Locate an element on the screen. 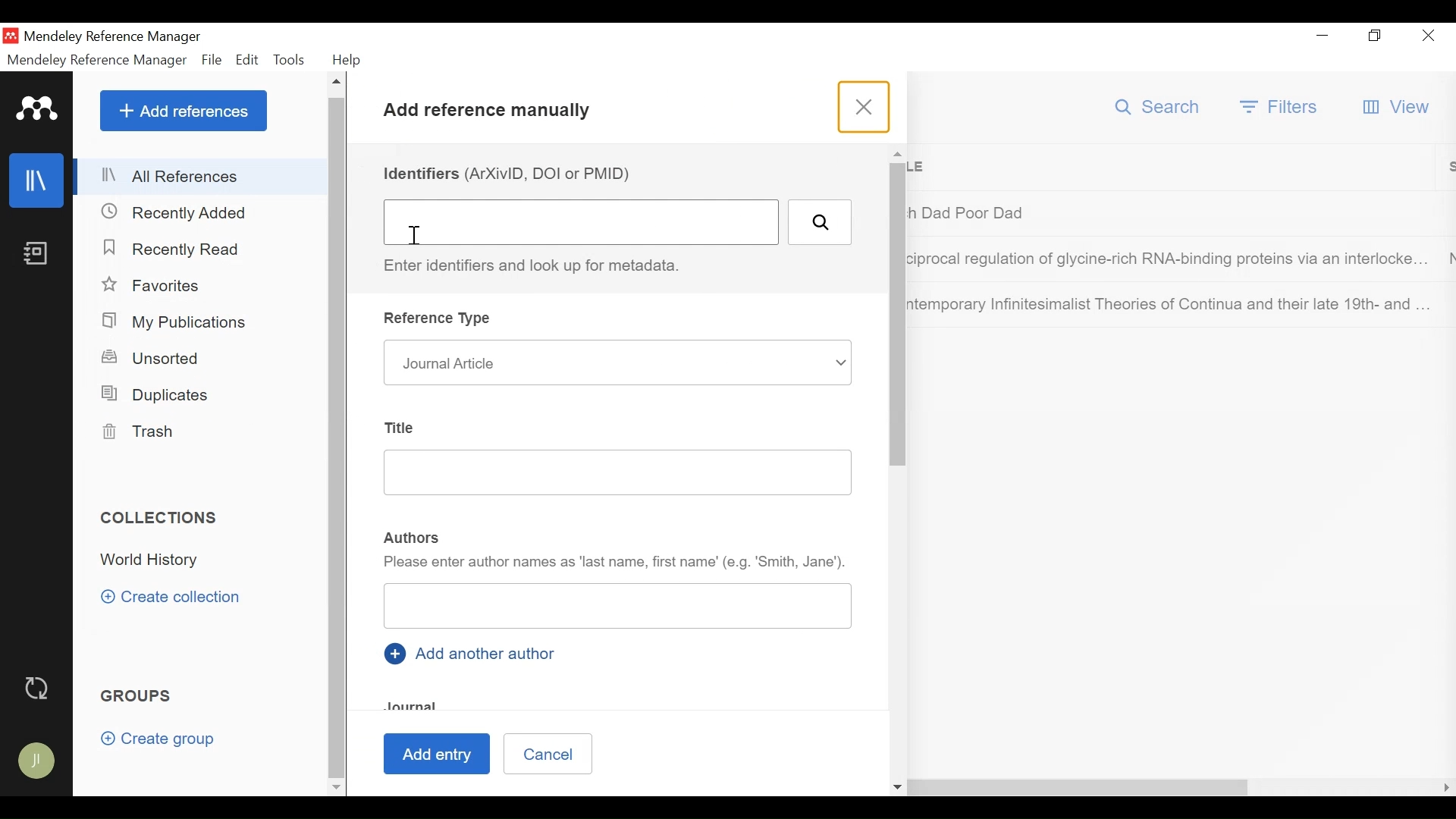  Please enter author as last name, first name is located at coordinates (616, 563).